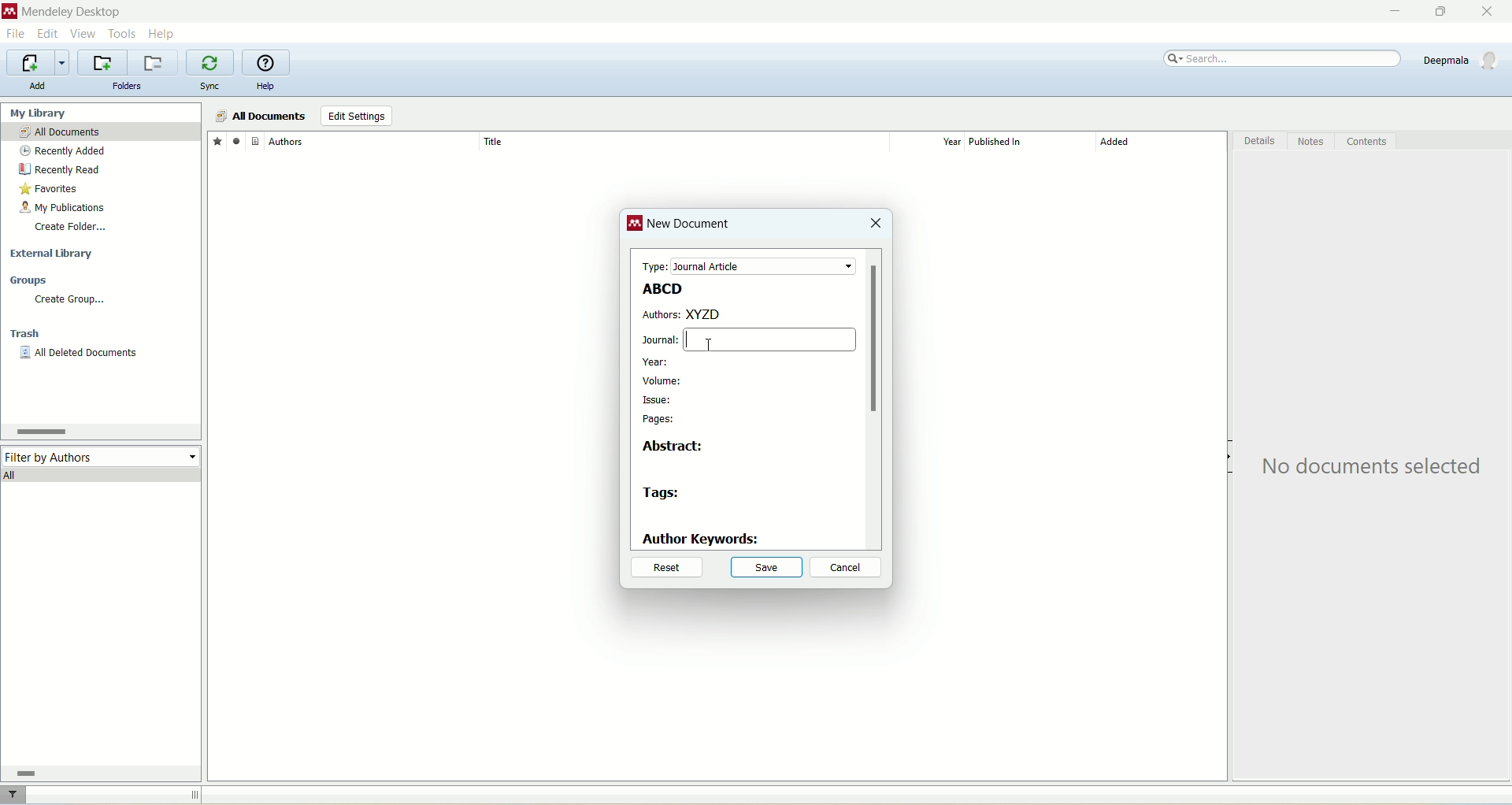 Image resolution: width=1512 pixels, height=805 pixels. Describe the element at coordinates (15, 795) in the screenshot. I see `filter` at that location.